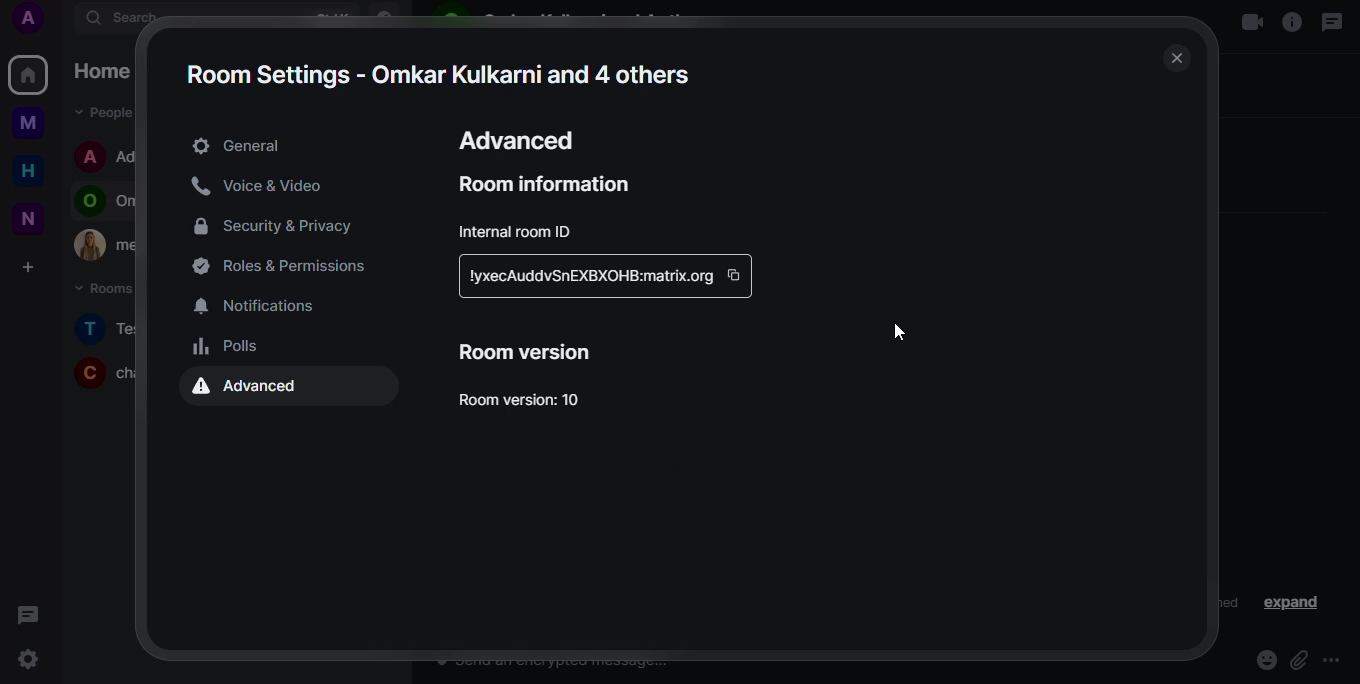  What do you see at coordinates (264, 304) in the screenshot?
I see `notifications` at bounding box center [264, 304].